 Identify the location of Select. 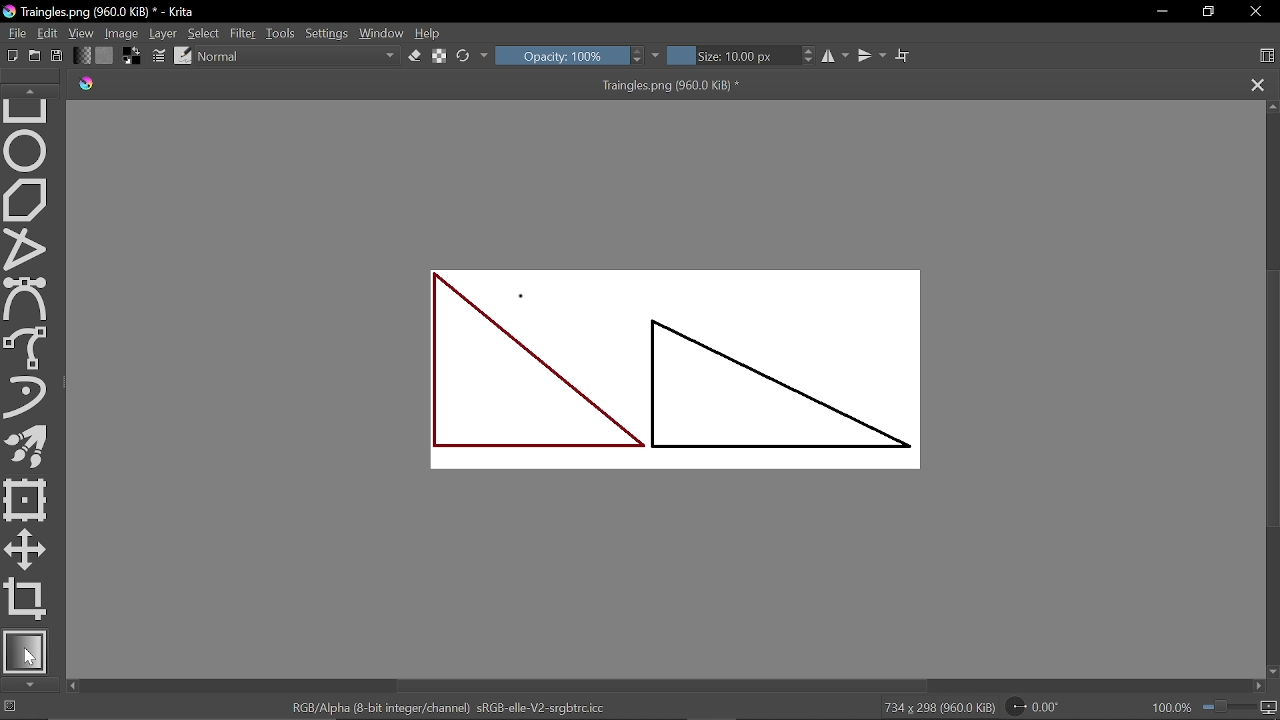
(204, 33).